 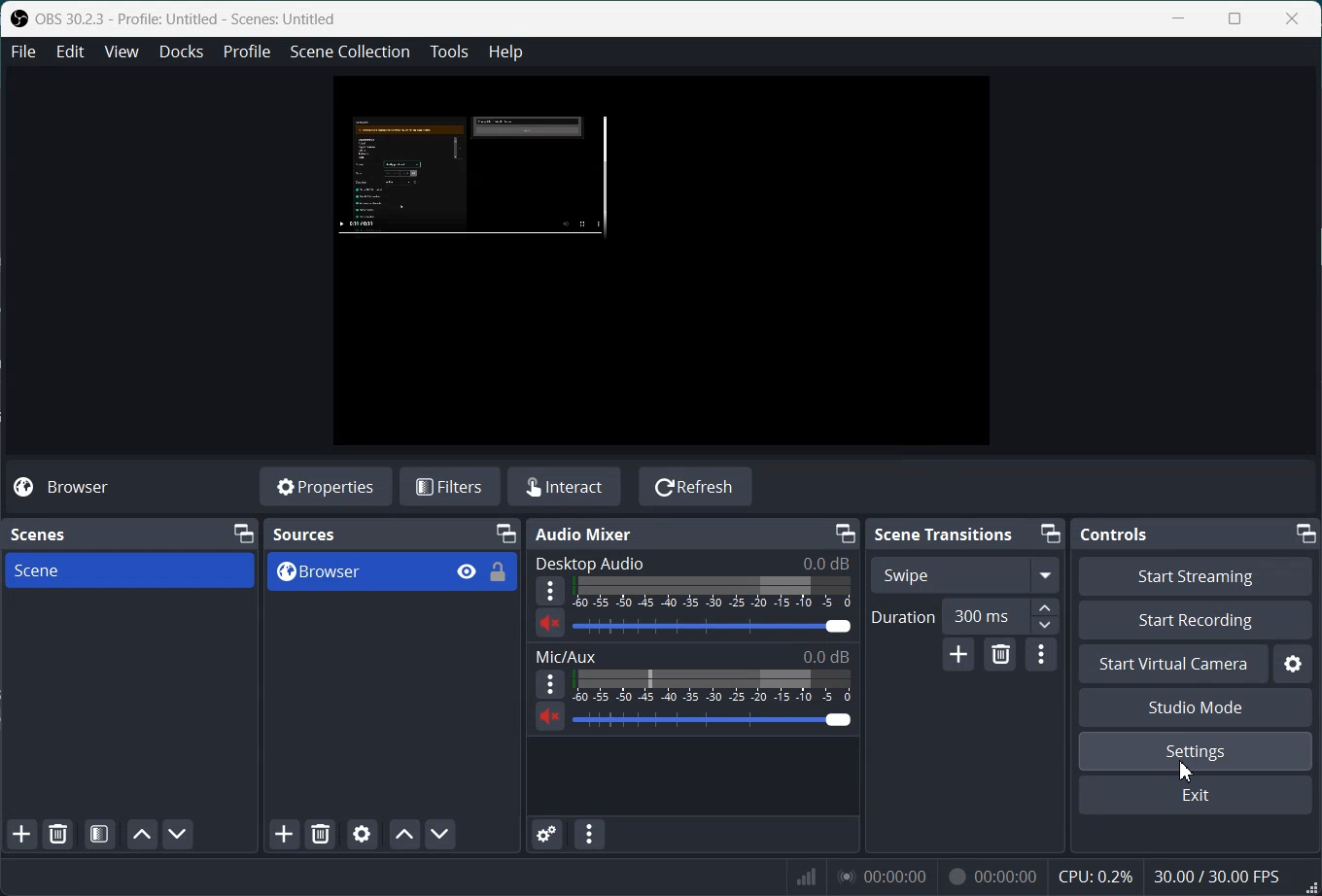 What do you see at coordinates (959, 656) in the screenshot?
I see `Add Configurable Transition` at bounding box center [959, 656].